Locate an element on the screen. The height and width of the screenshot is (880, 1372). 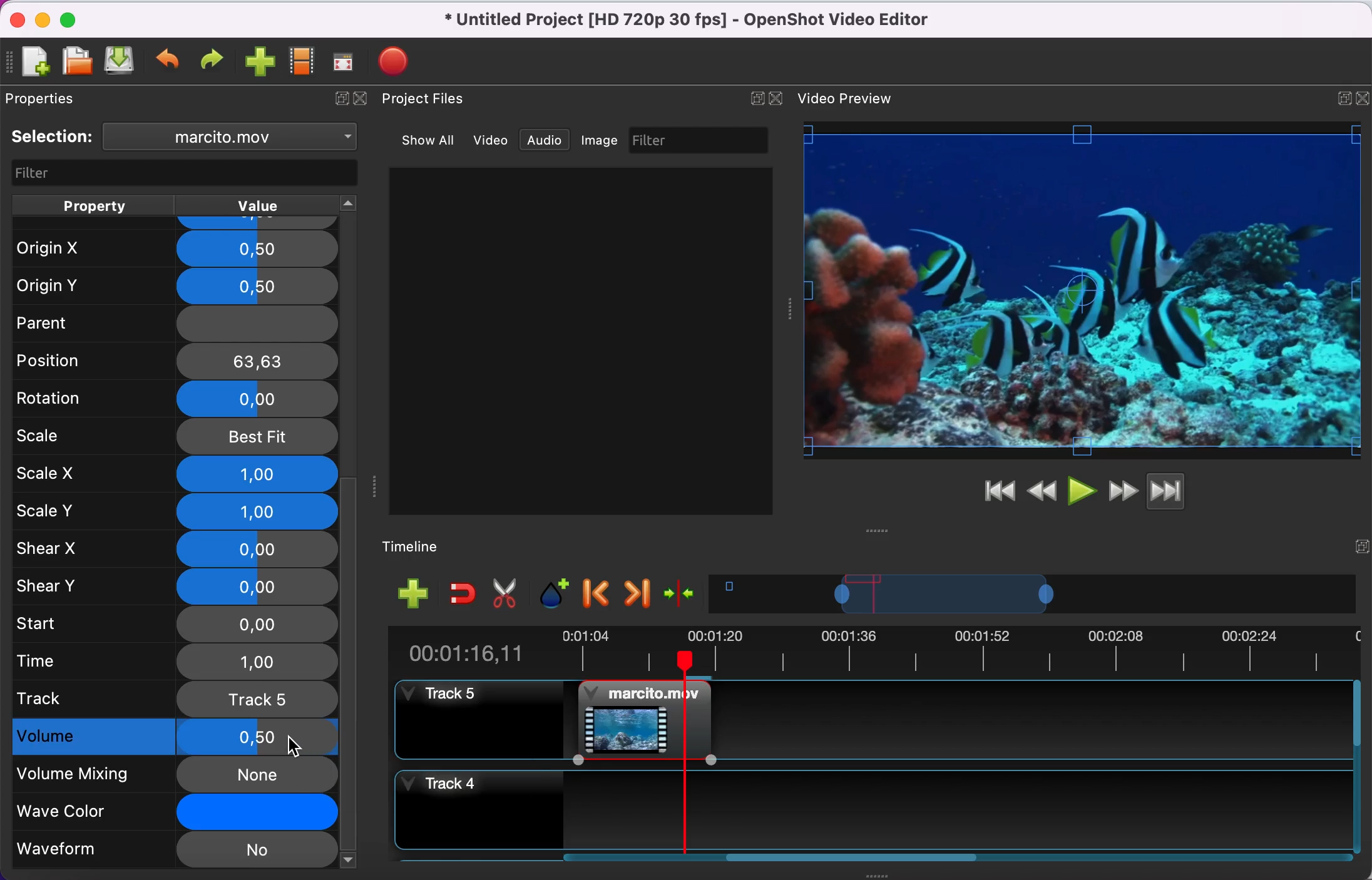
scroll bar is located at coordinates (842, 860).